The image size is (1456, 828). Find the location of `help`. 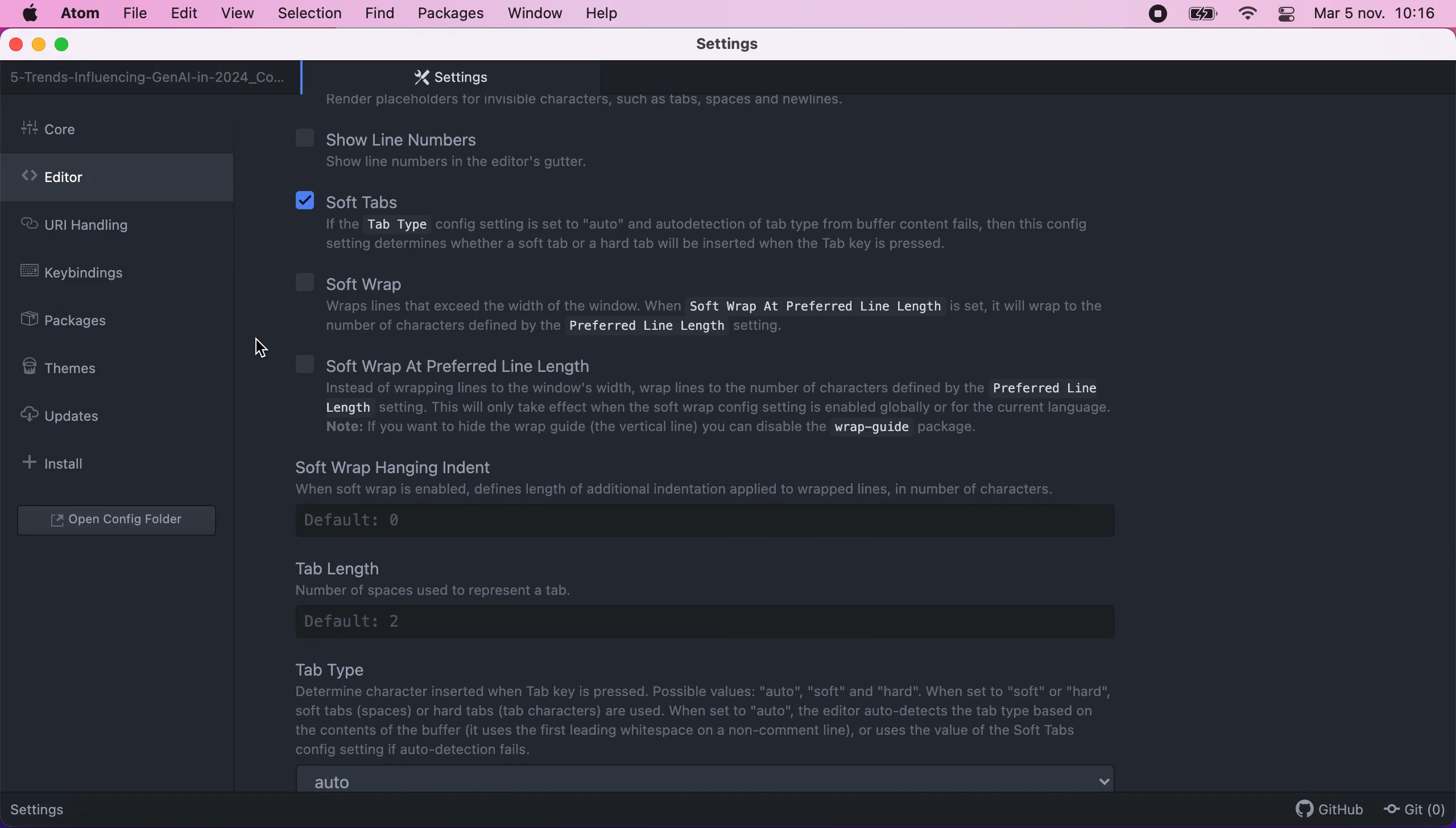

help is located at coordinates (605, 13).